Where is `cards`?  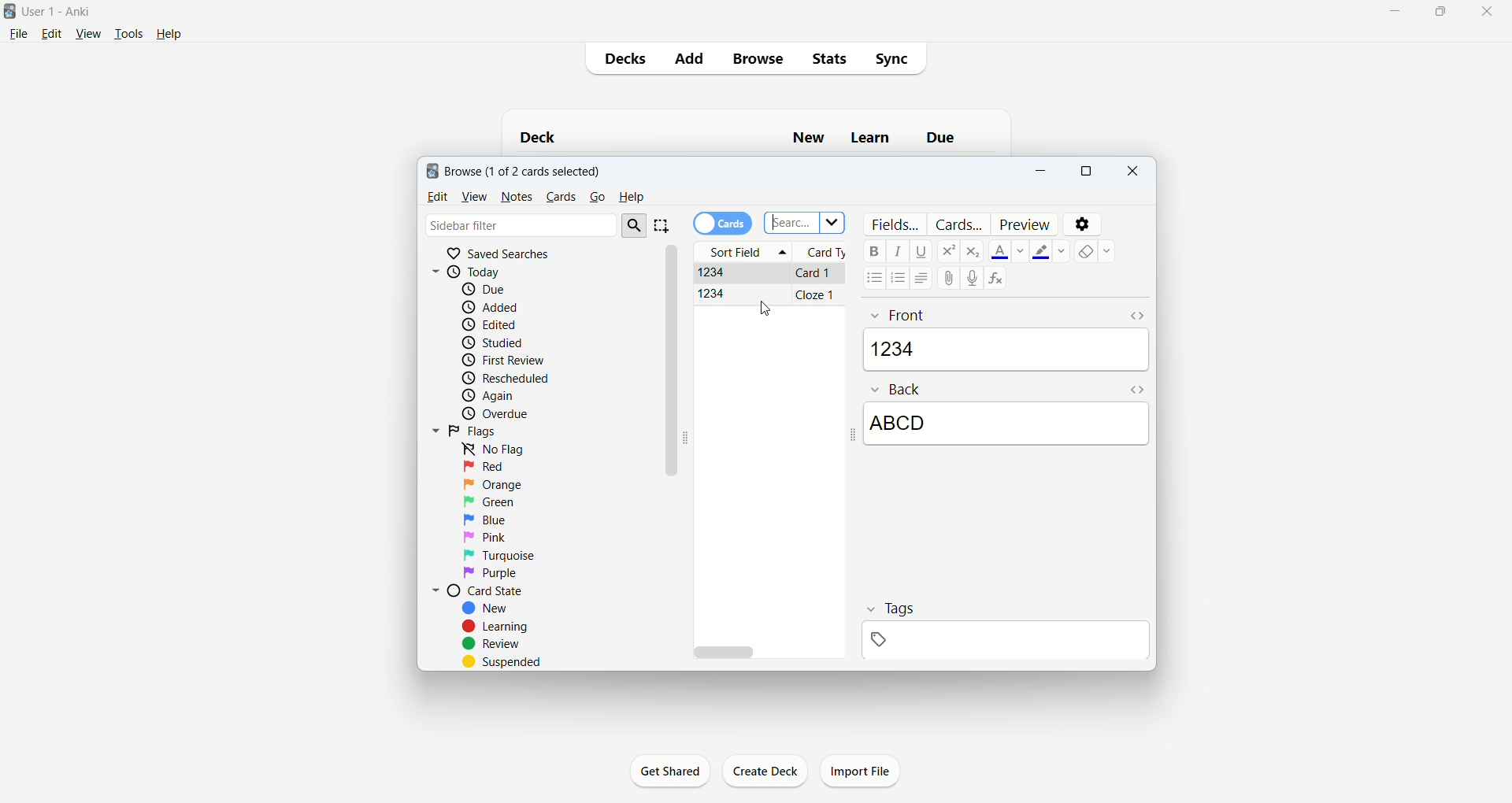
cards is located at coordinates (561, 197).